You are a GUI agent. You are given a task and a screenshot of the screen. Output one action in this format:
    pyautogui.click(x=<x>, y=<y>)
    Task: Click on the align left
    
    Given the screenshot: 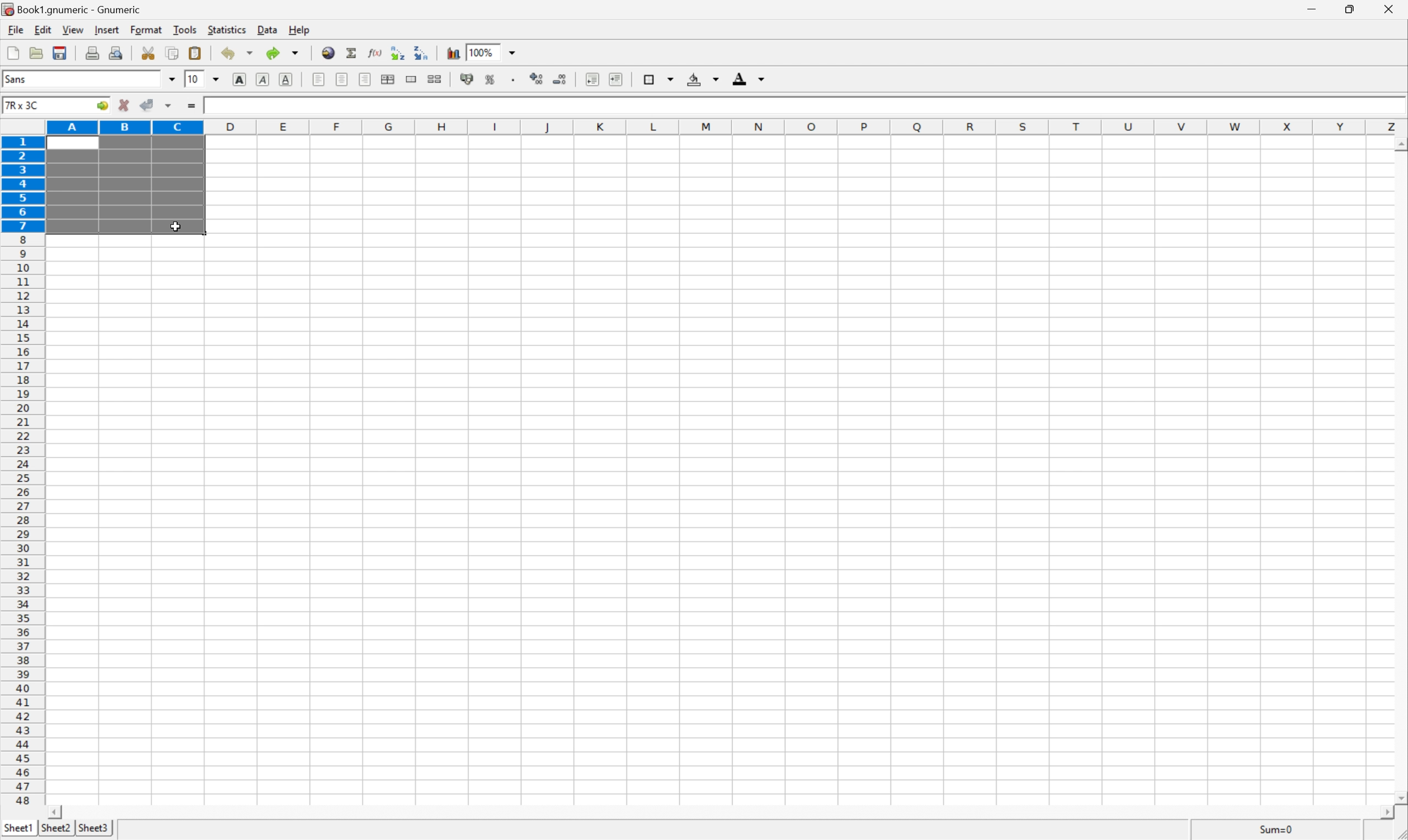 What is the action you would take?
    pyautogui.click(x=319, y=79)
    